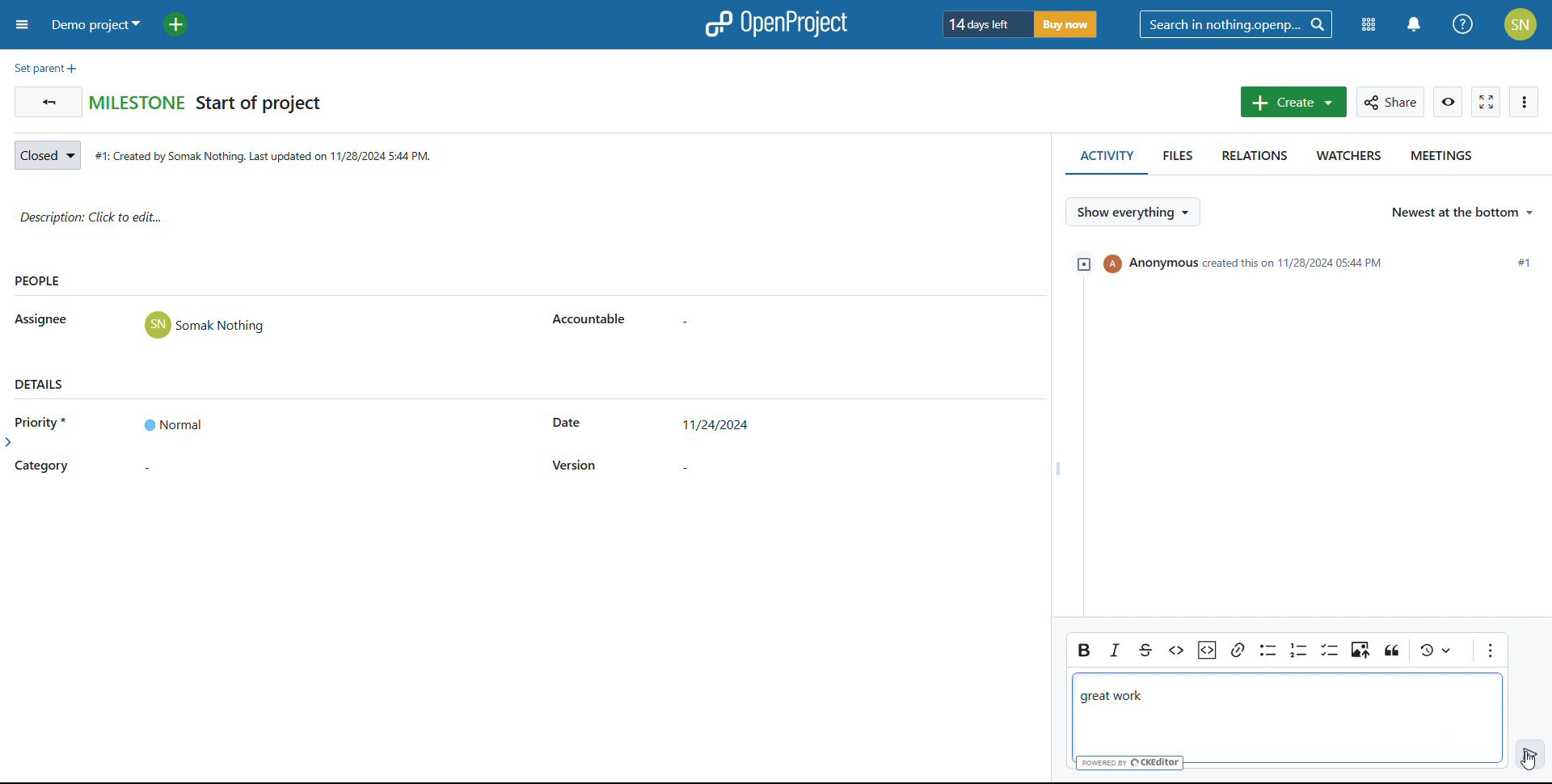 Image resolution: width=1552 pixels, height=784 pixels. What do you see at coordinates (982, 23) in the screenshot?
I see `days left of trial` at bounding box center [982, 23].